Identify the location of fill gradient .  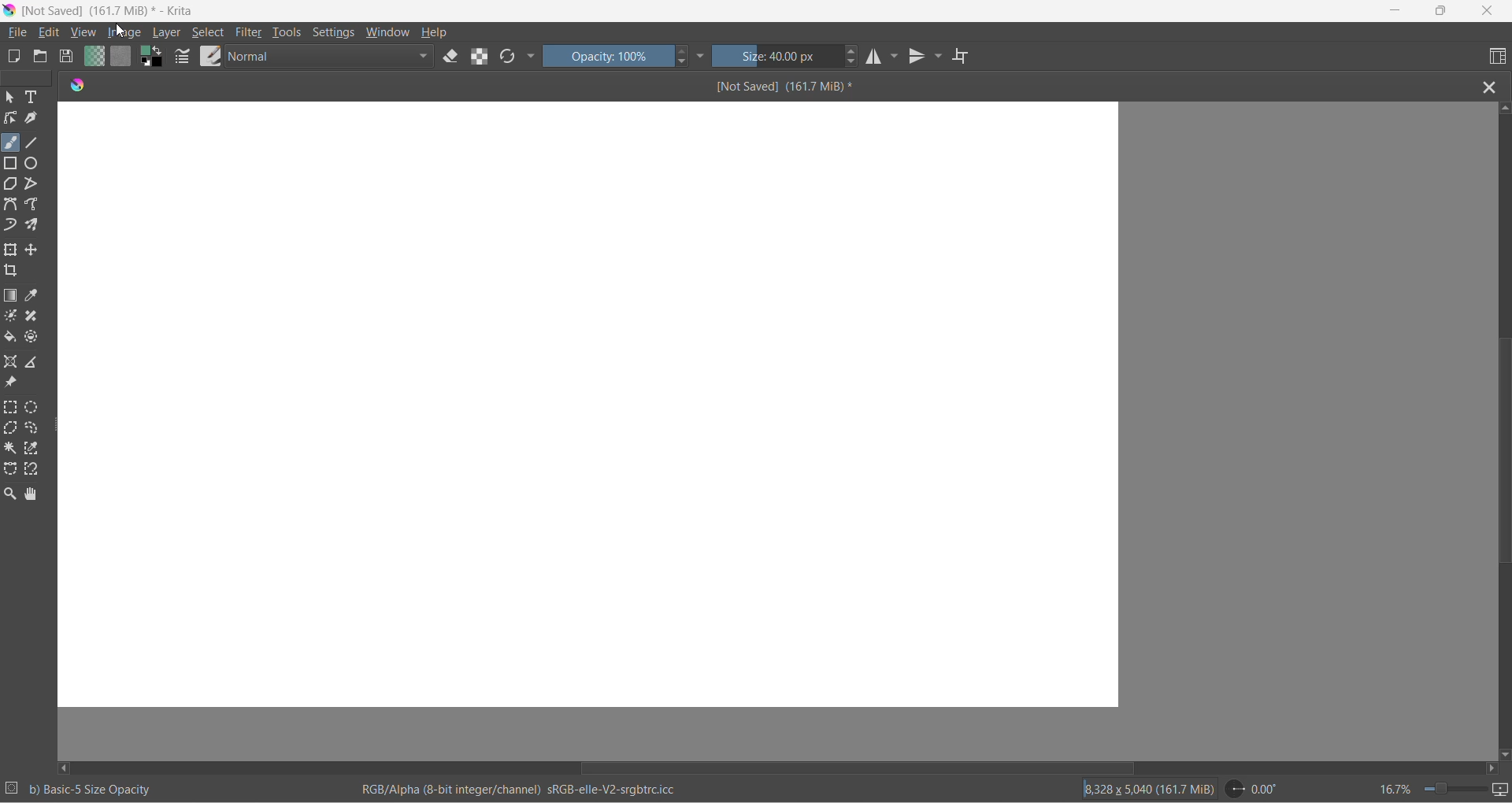
(92, 58).